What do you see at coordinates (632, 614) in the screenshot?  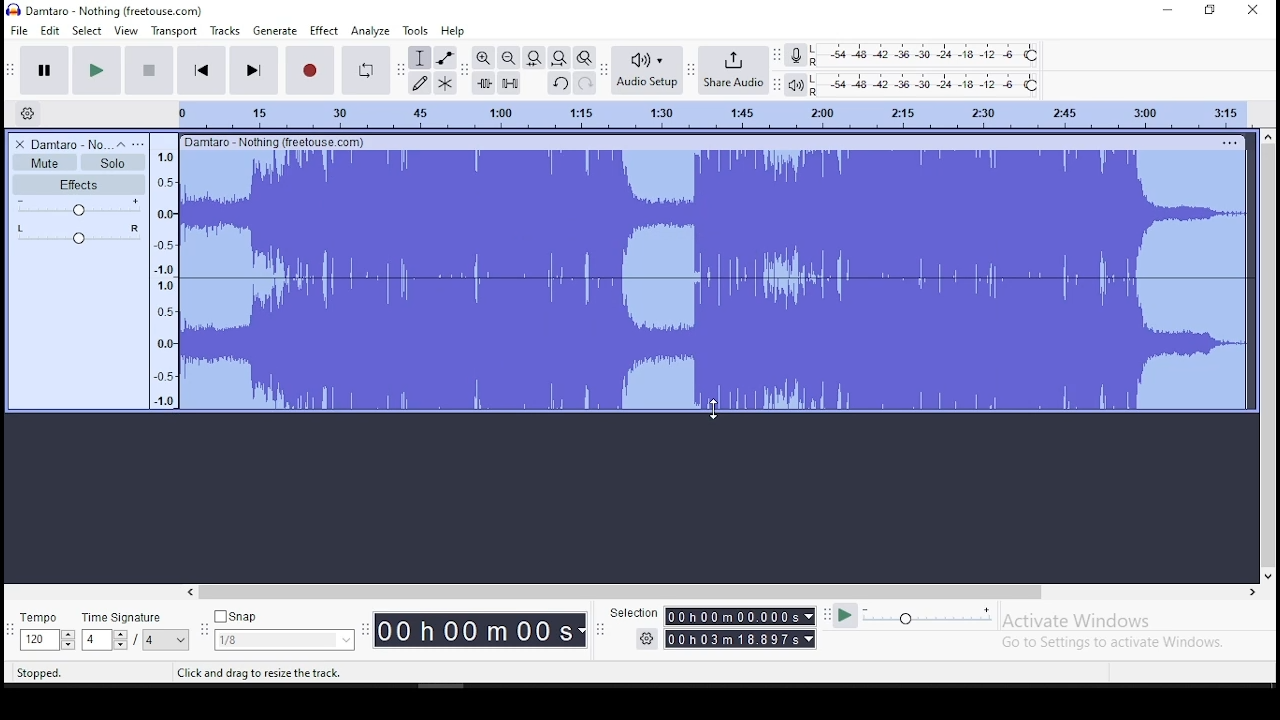 I see `‘Selection` at bounding box center [632, 614].